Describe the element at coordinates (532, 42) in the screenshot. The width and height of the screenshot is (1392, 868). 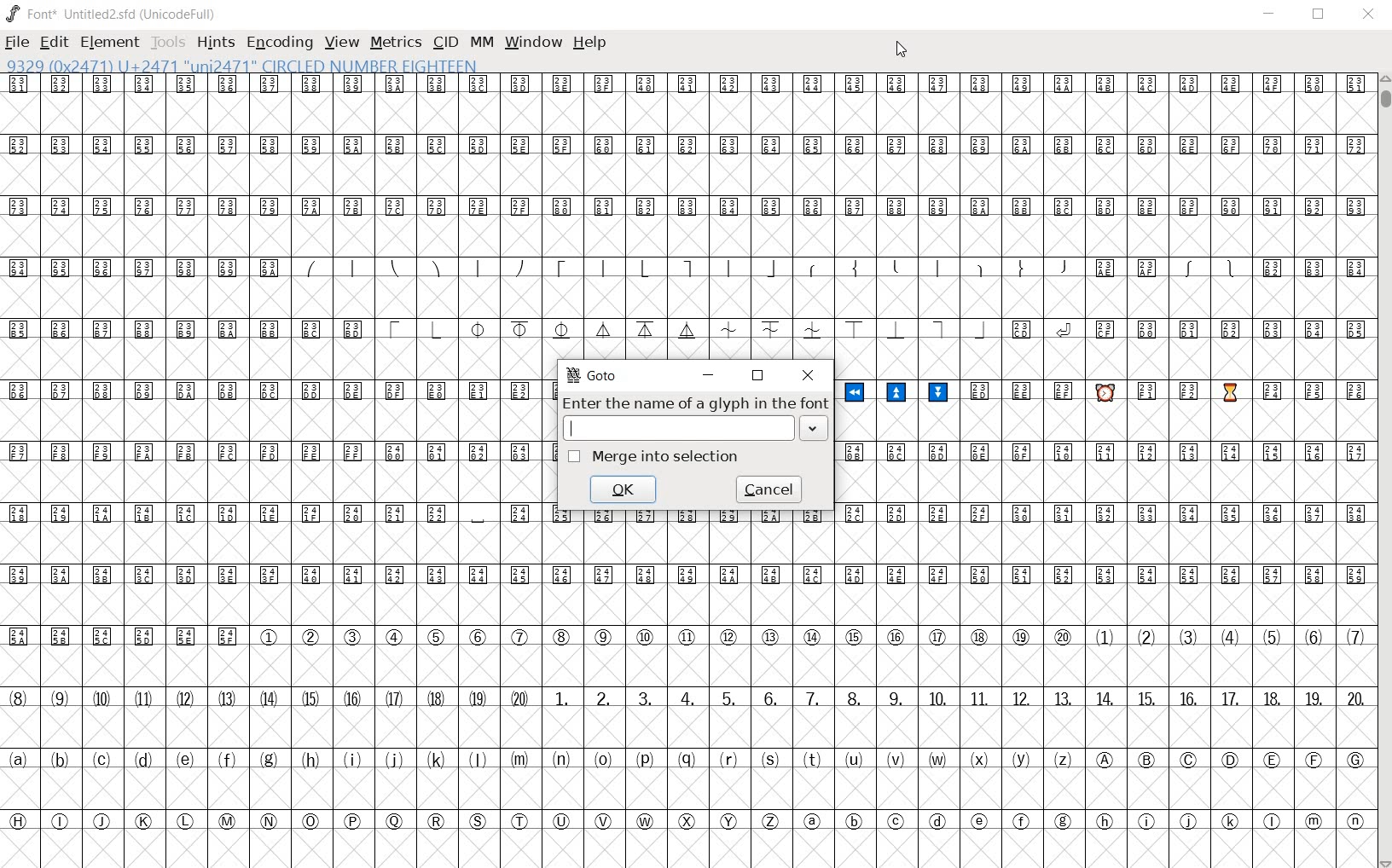
I see `window` at that location.